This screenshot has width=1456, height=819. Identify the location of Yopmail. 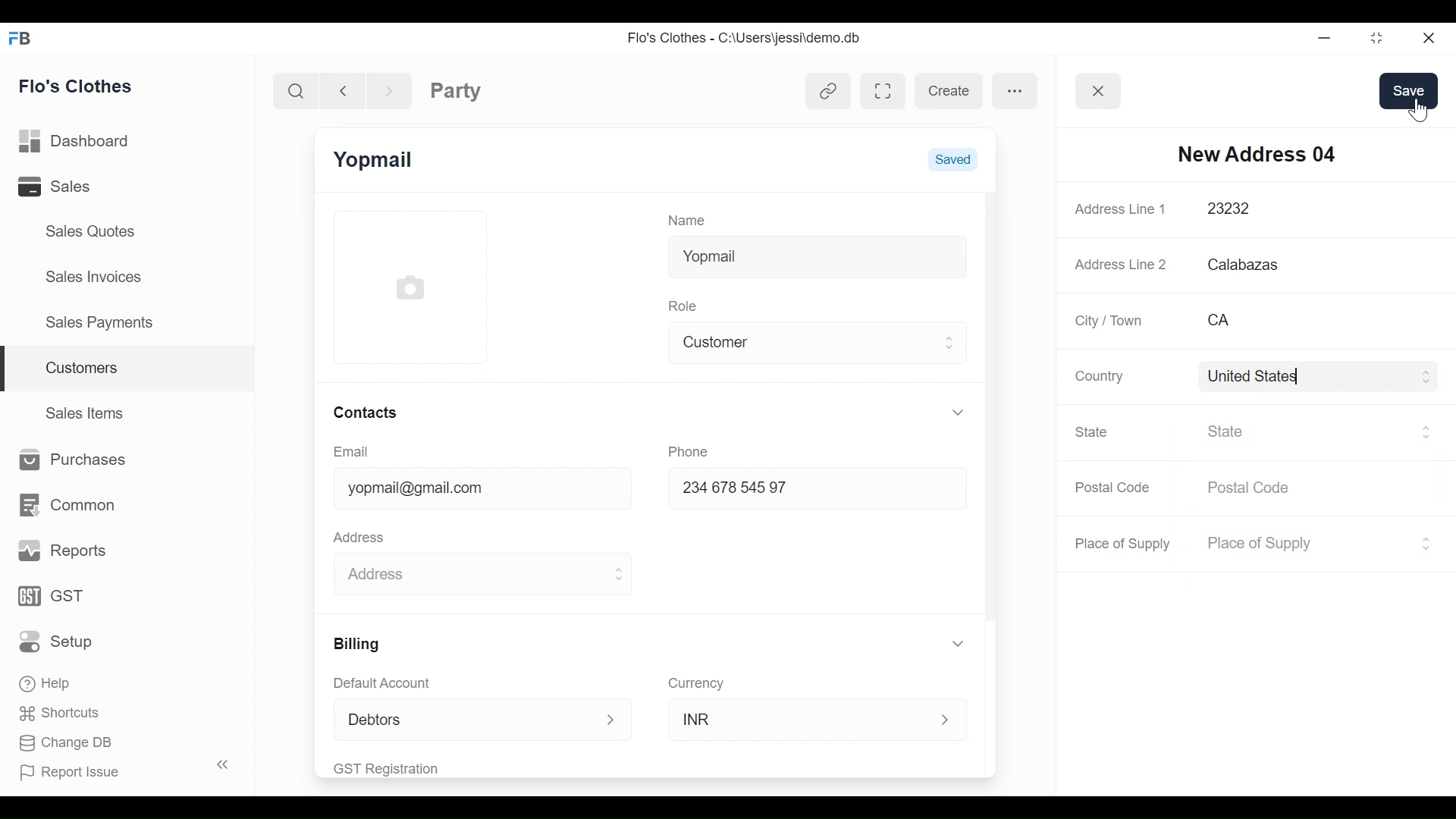
(817, 254).